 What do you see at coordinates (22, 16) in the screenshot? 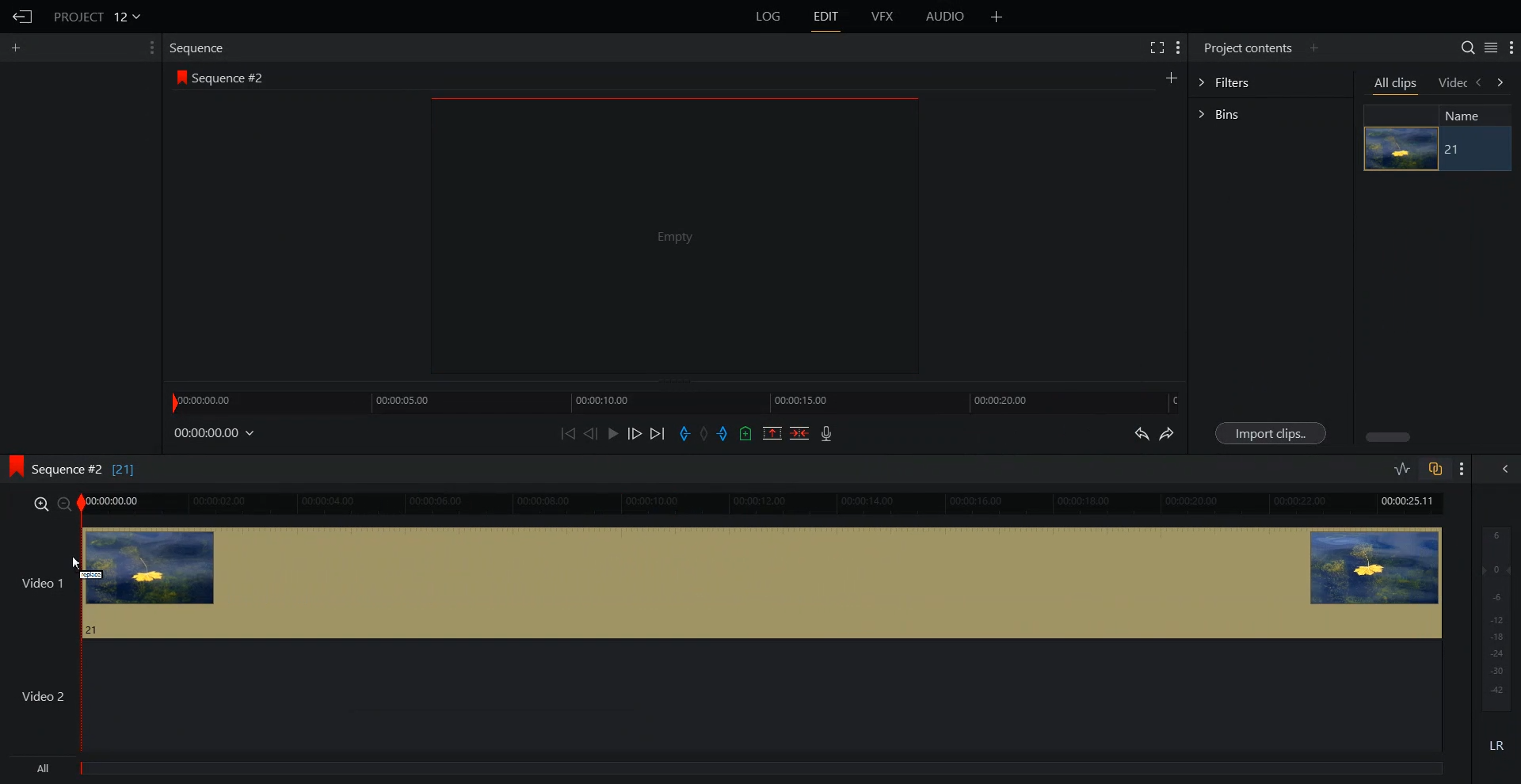
I see `Go Back` at bounding box center [22, 16].